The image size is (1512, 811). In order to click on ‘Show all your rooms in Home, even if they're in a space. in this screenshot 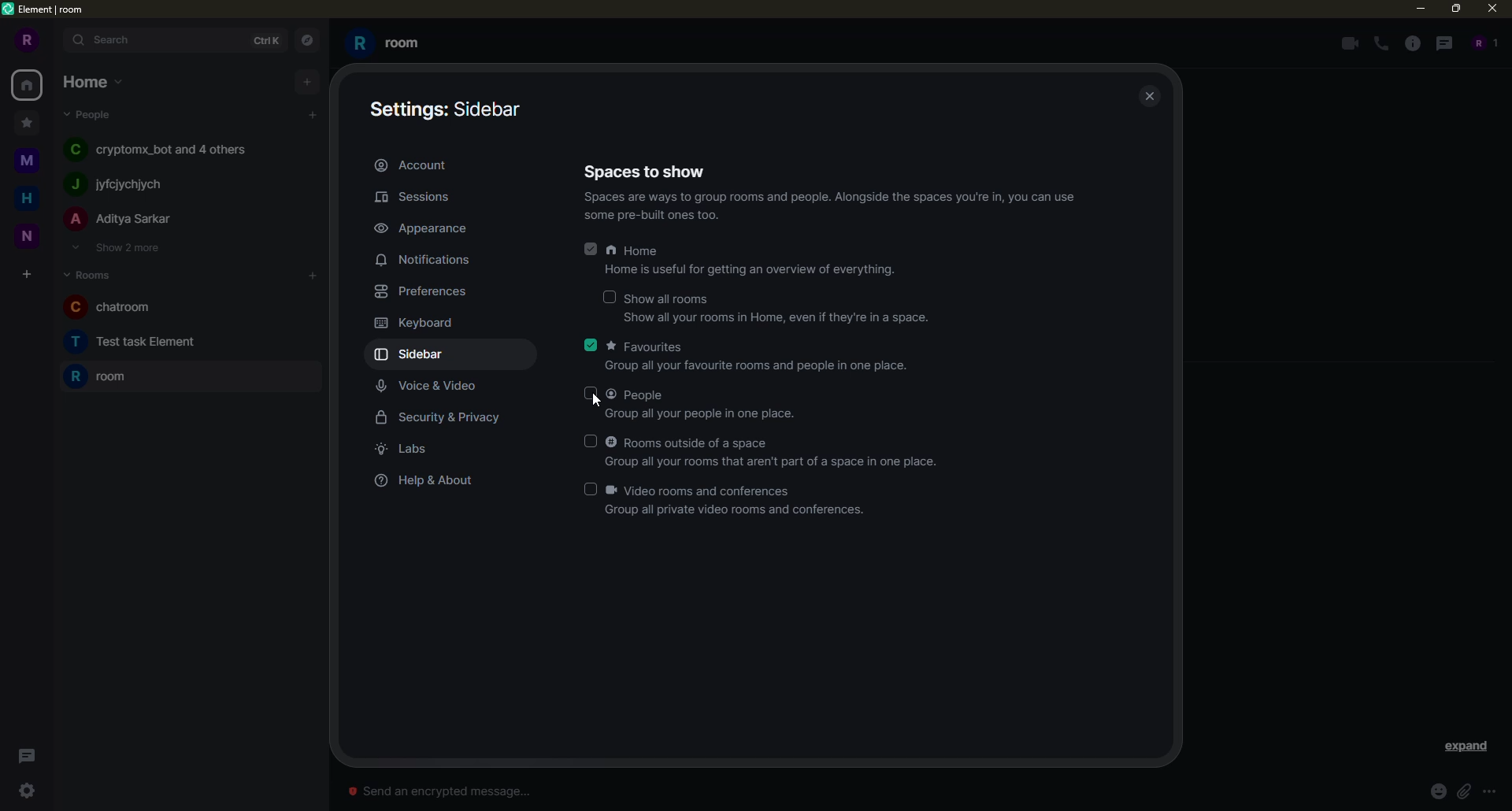, I will do `click(760, 323)`.